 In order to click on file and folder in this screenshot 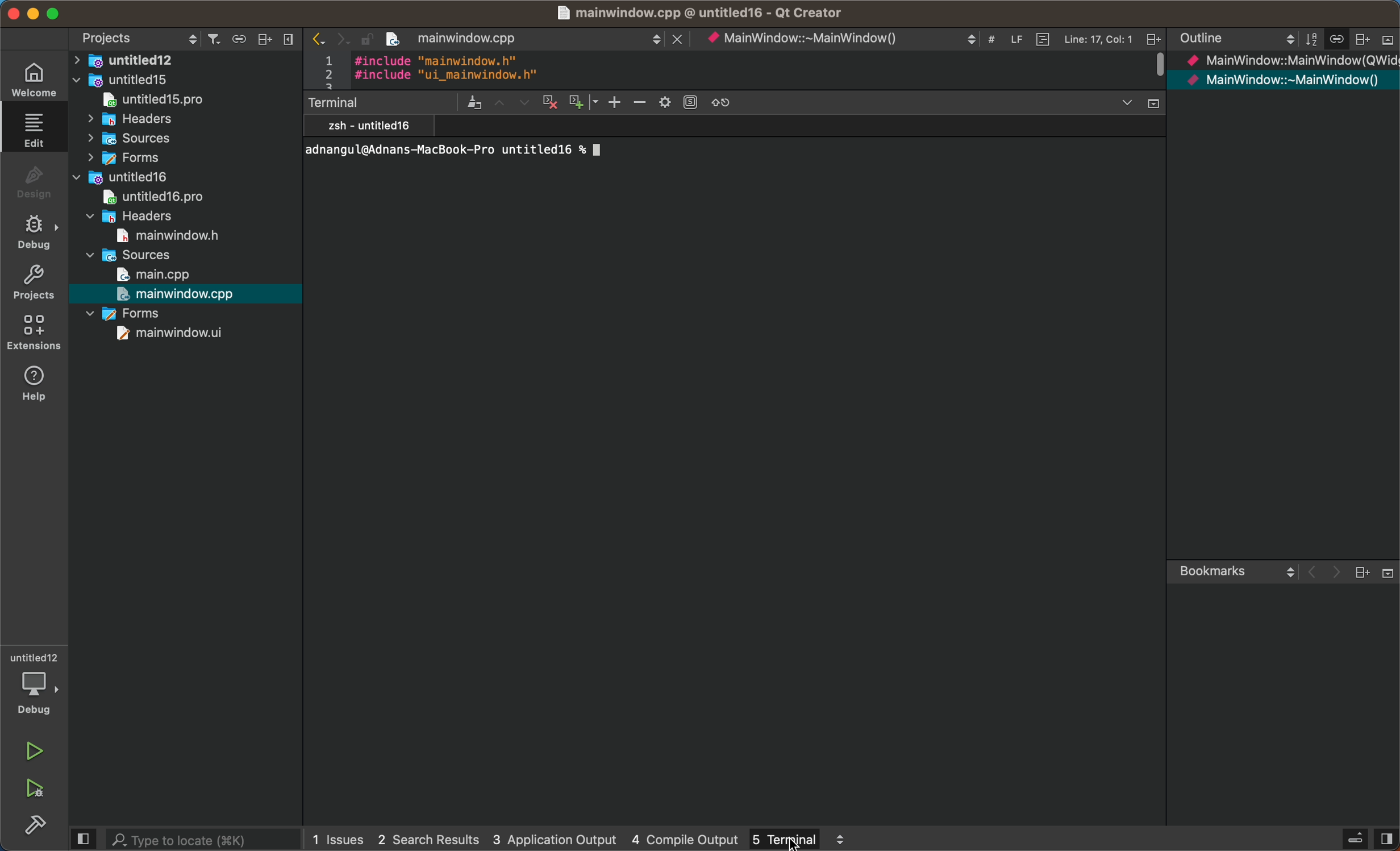, I will do `click(148, 215)`.